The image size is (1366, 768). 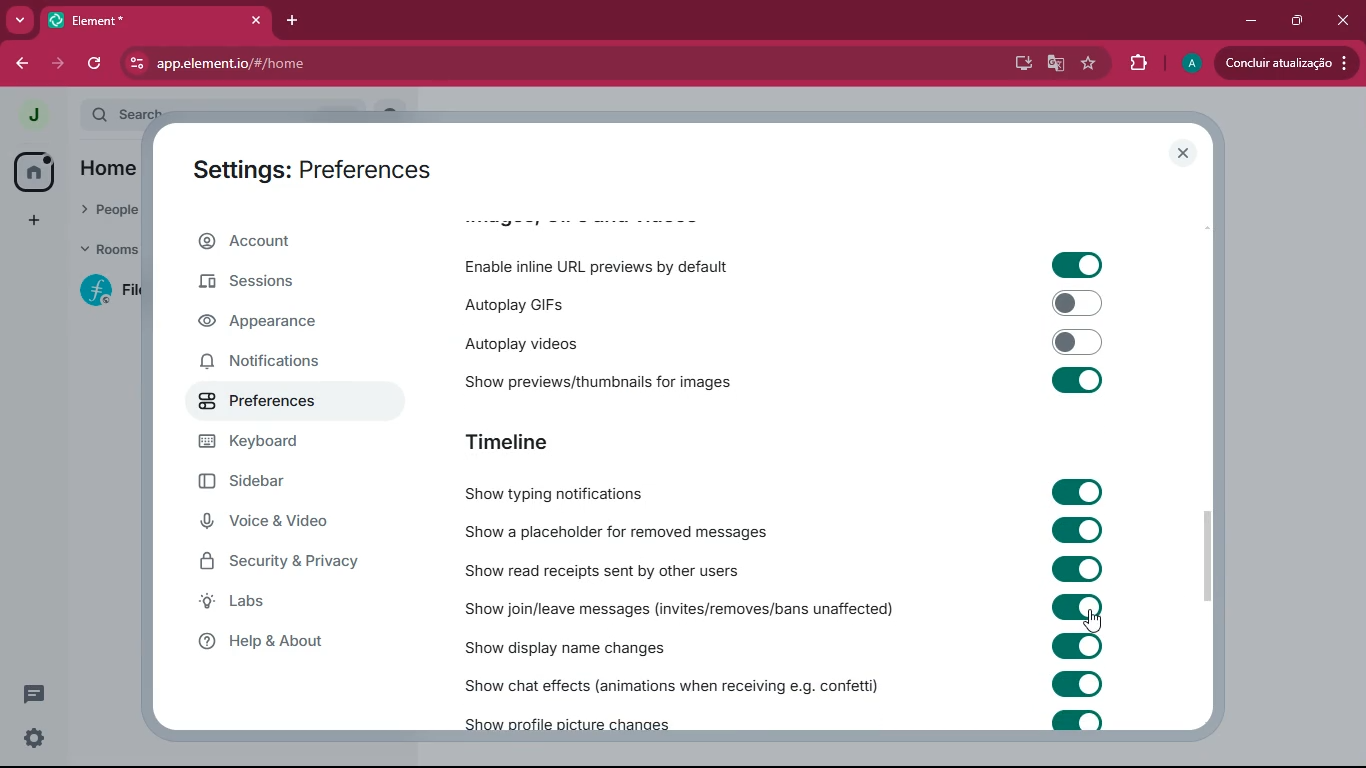 What do you see at coordinates (586, 494) in the screenshot?
I see `show typing notifications` at bounding box center [586, 494].